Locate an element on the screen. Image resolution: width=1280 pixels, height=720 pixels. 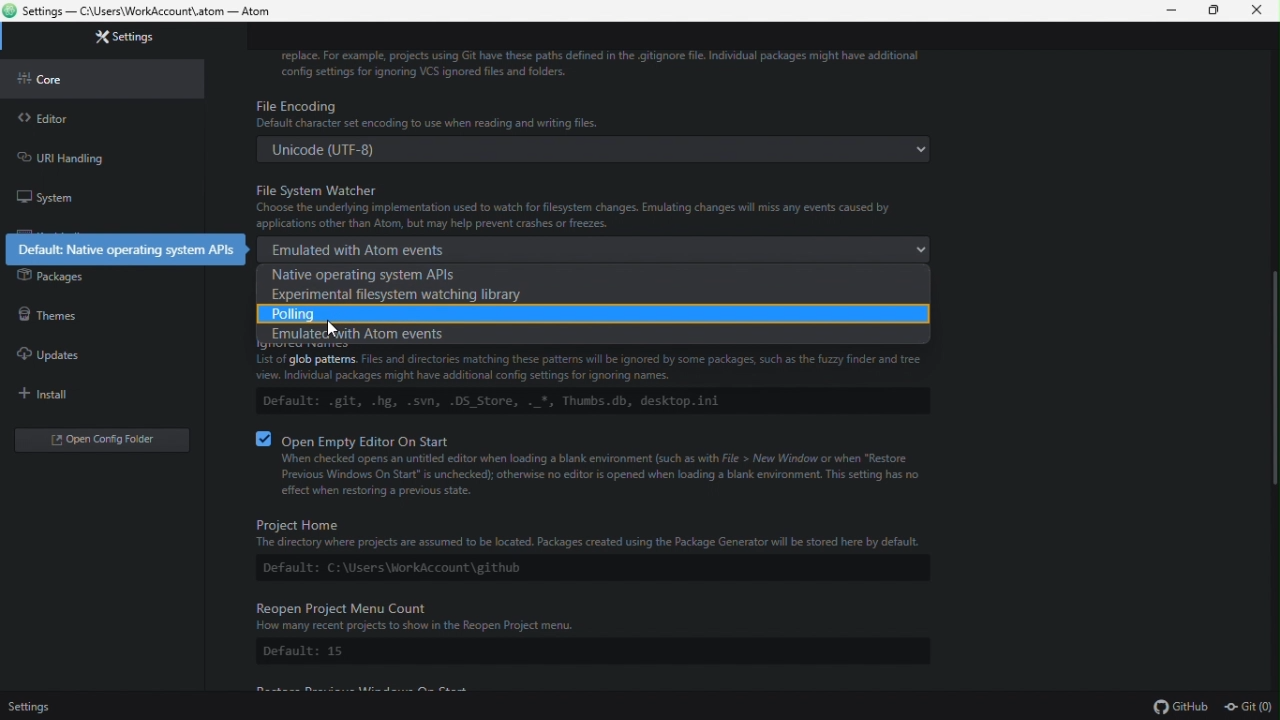
polling is located at coordinates (588, 314).